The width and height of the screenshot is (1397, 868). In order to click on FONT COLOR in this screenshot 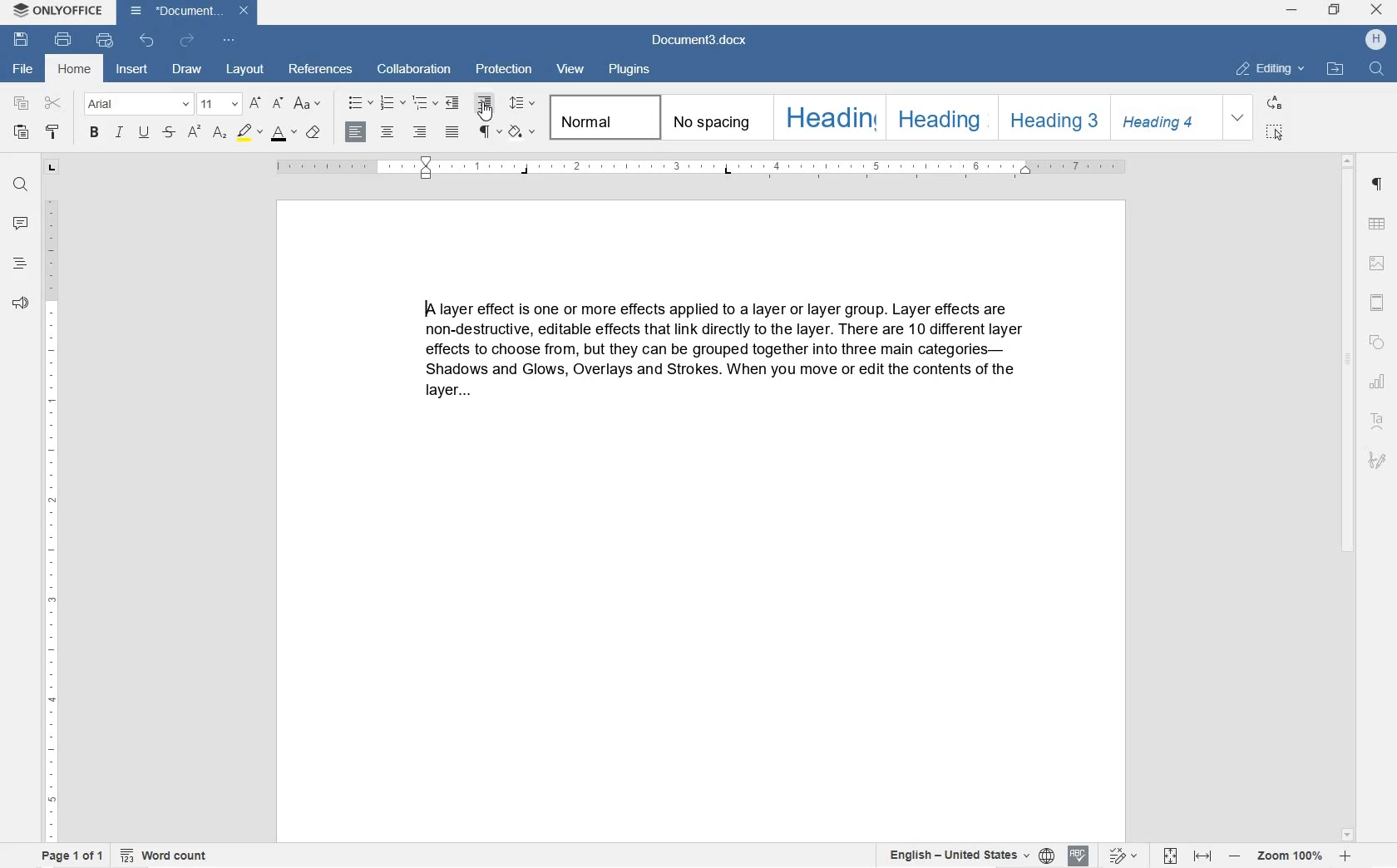, I will do `click(281, 133)`.